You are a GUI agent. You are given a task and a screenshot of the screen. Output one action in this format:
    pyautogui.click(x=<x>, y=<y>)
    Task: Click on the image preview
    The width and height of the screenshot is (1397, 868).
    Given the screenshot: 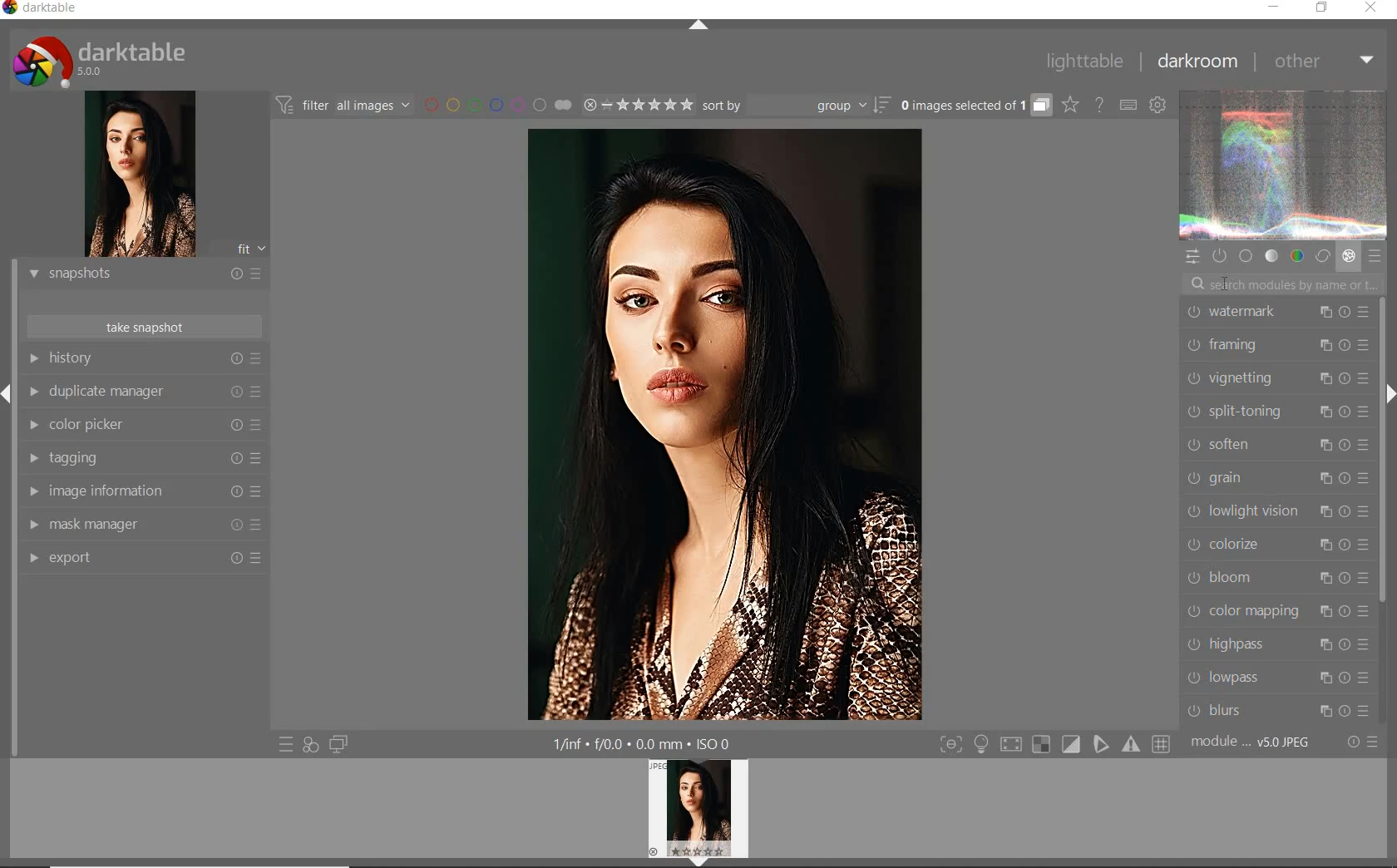 What is the action you would take?
    pyautogui.click(x=696, y=811)
    